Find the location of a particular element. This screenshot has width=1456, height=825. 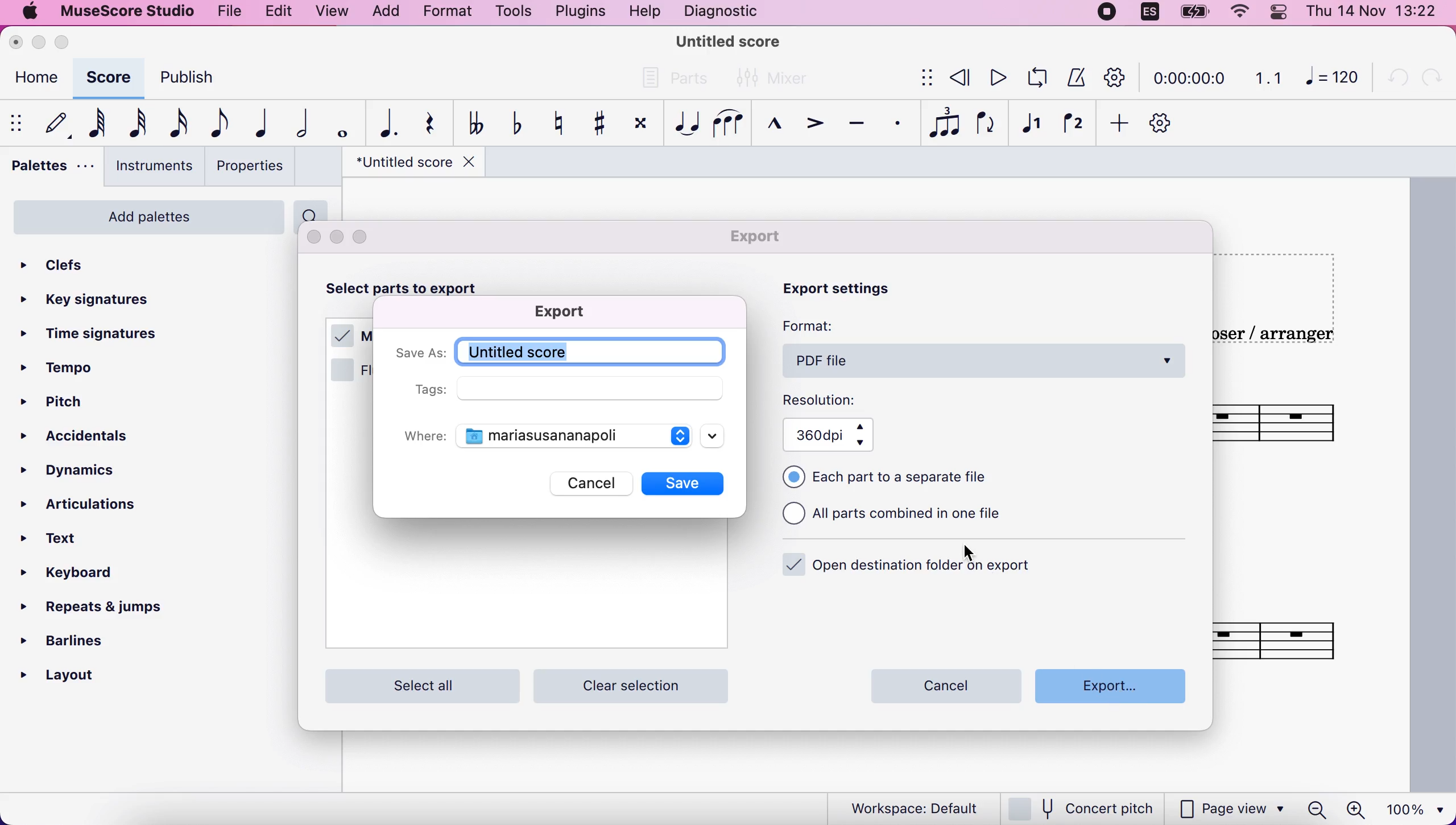

voice 1 is located at coordinates (1031, 122).